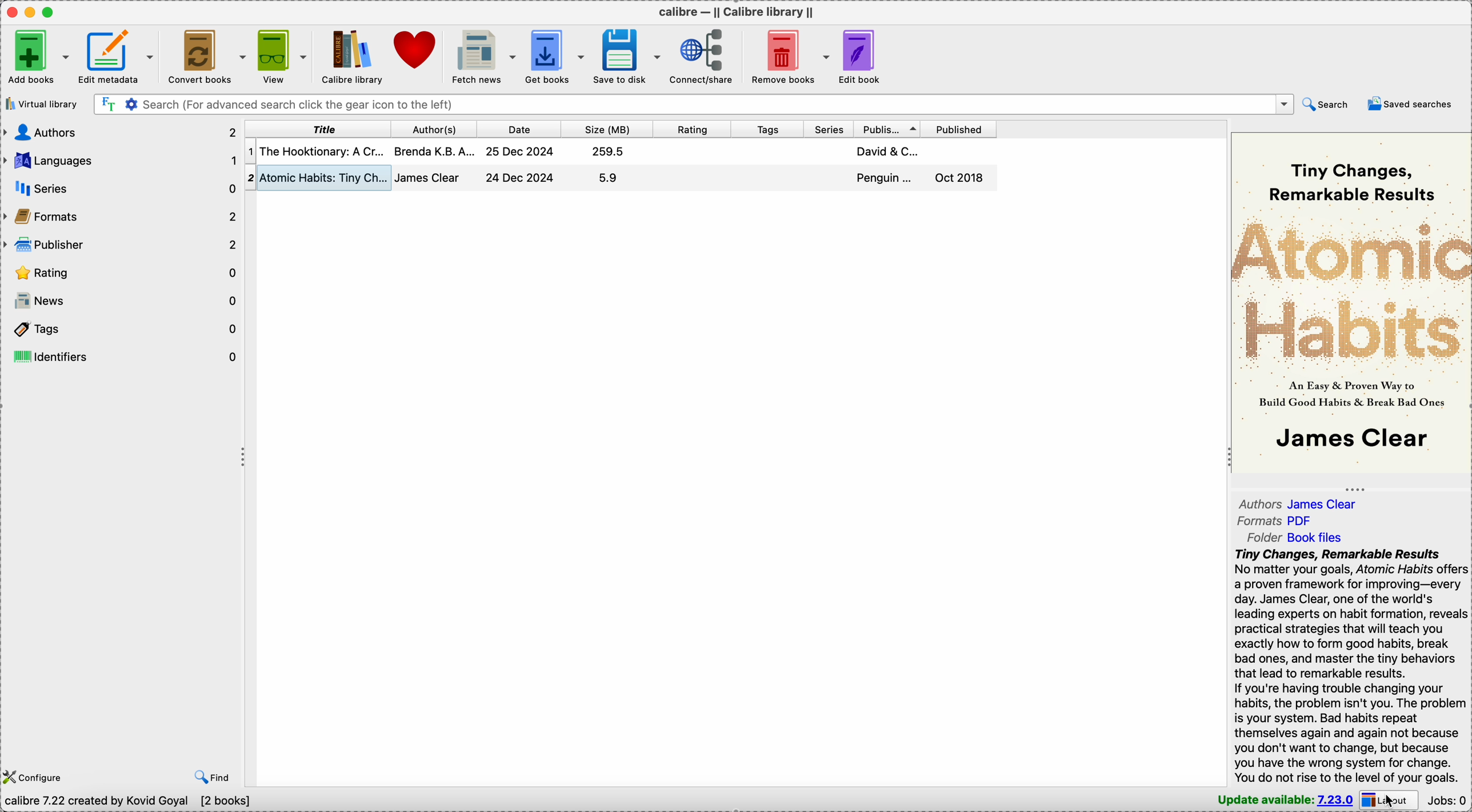  Describe the element at coordinates (318, 129) in the screenshot. I see `title` at that location.